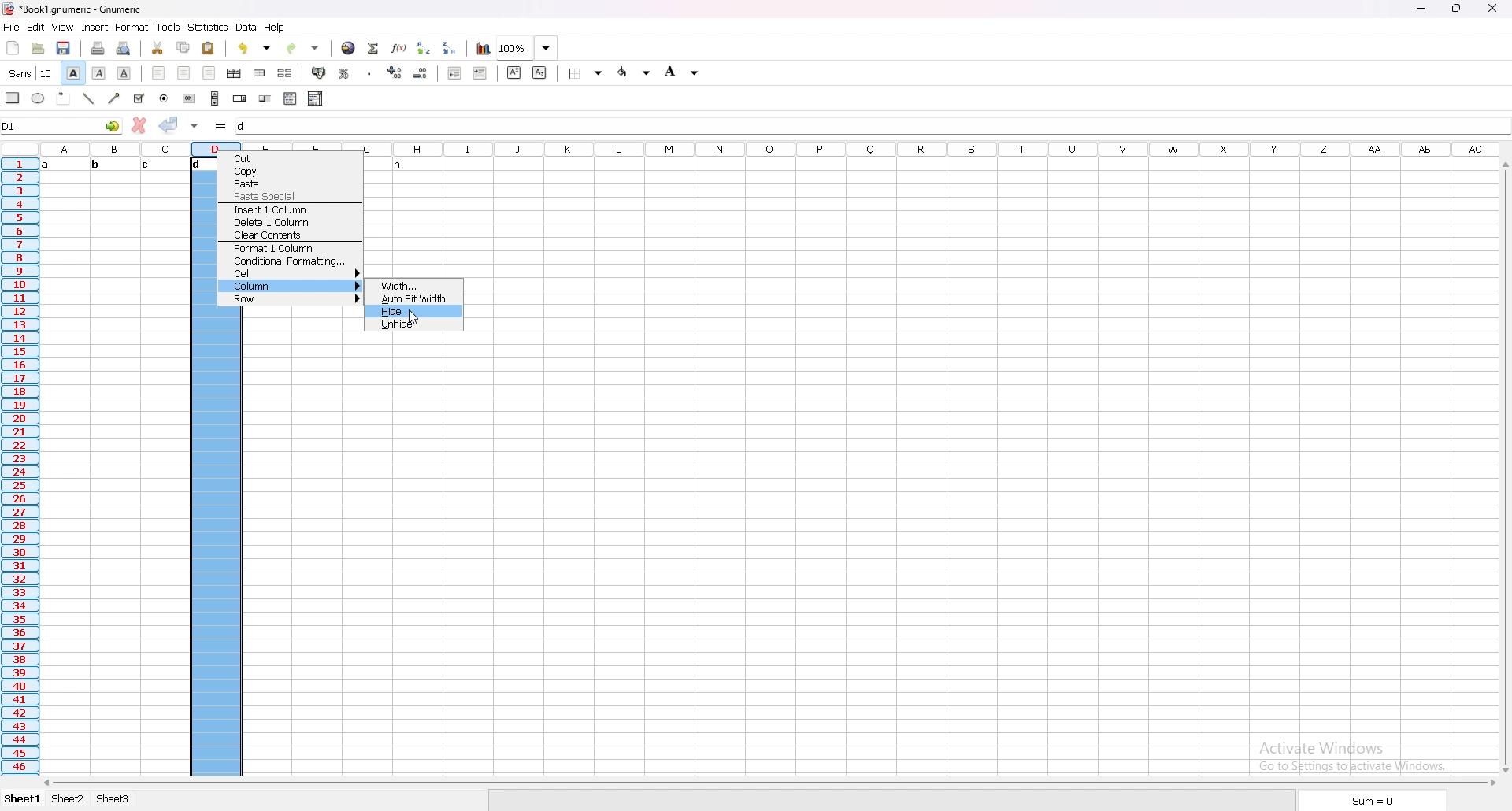  I want to click on chart, so click(483, 48).